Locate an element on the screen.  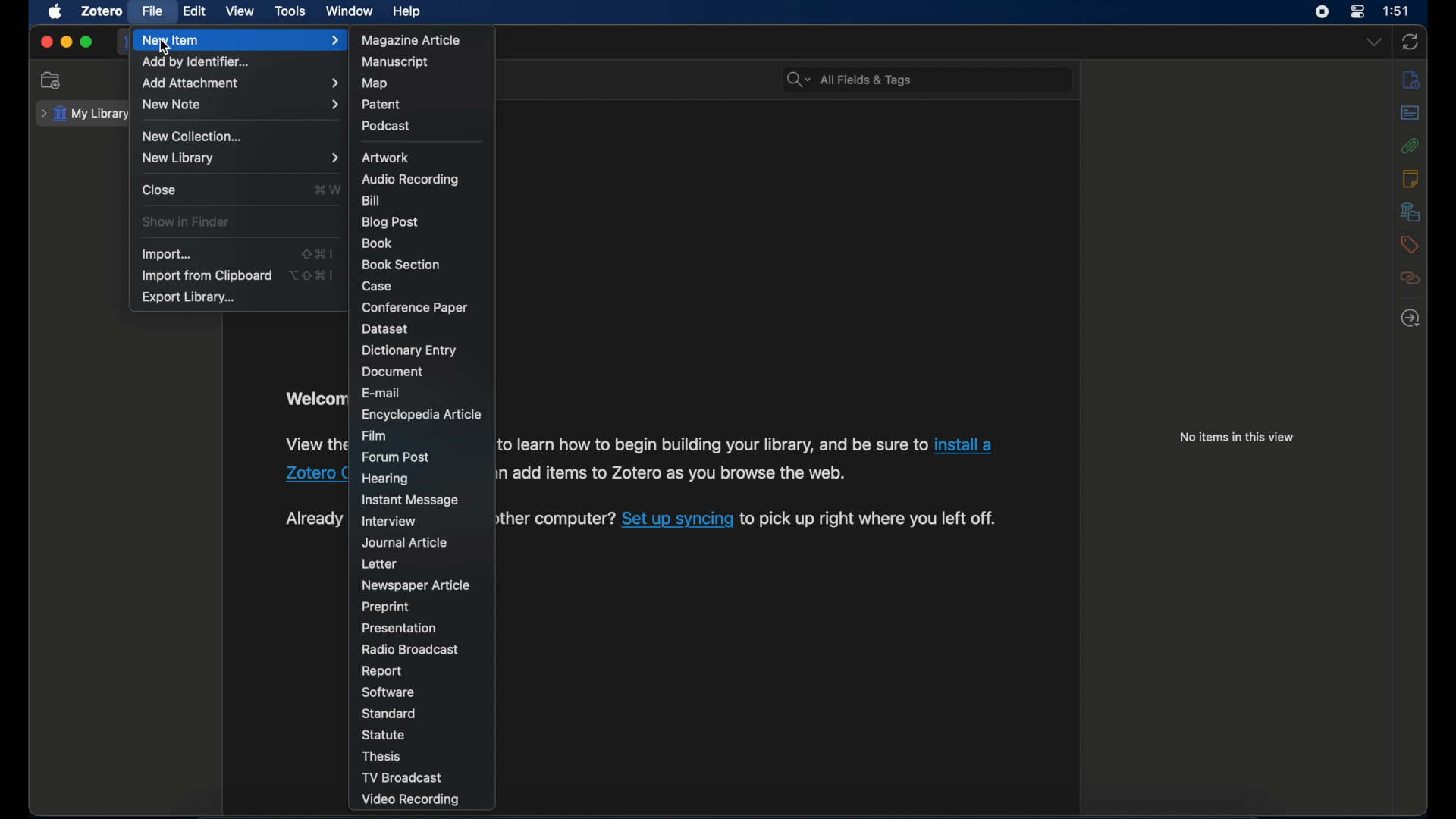
close is located at coordinates (45, 42).